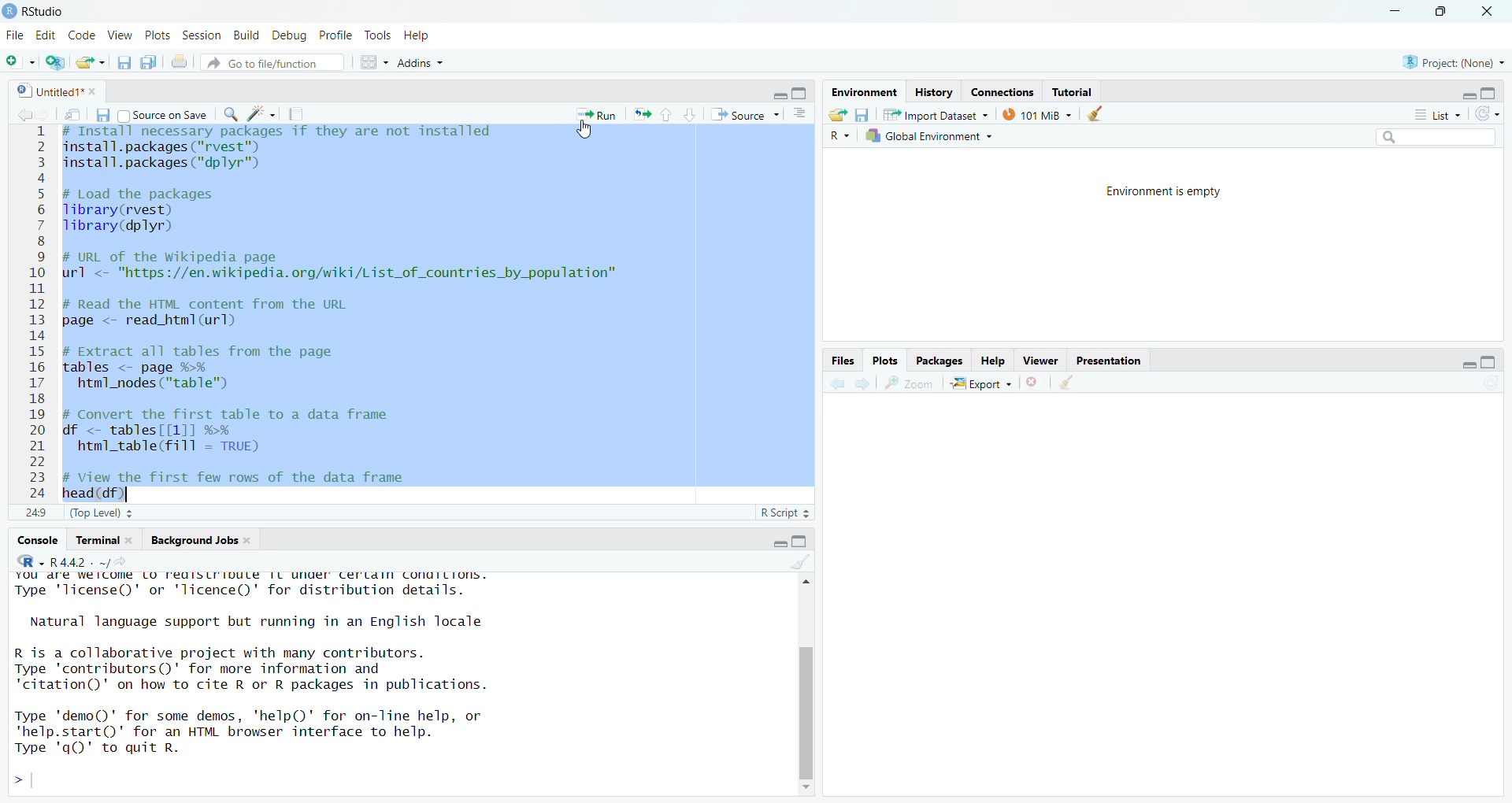 The image size is (1512, 803). I want to click on minimize, so click(1469, 95).